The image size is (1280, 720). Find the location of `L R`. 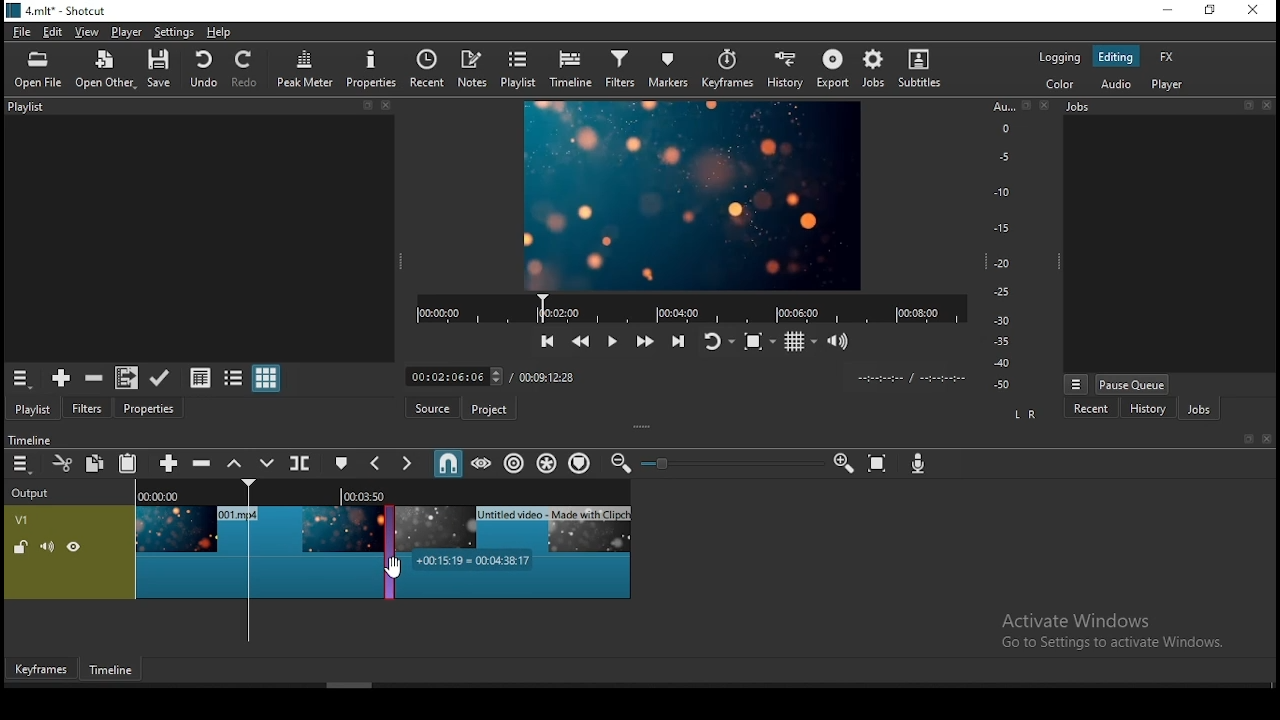

L R is located at coordinates (1025, 412).